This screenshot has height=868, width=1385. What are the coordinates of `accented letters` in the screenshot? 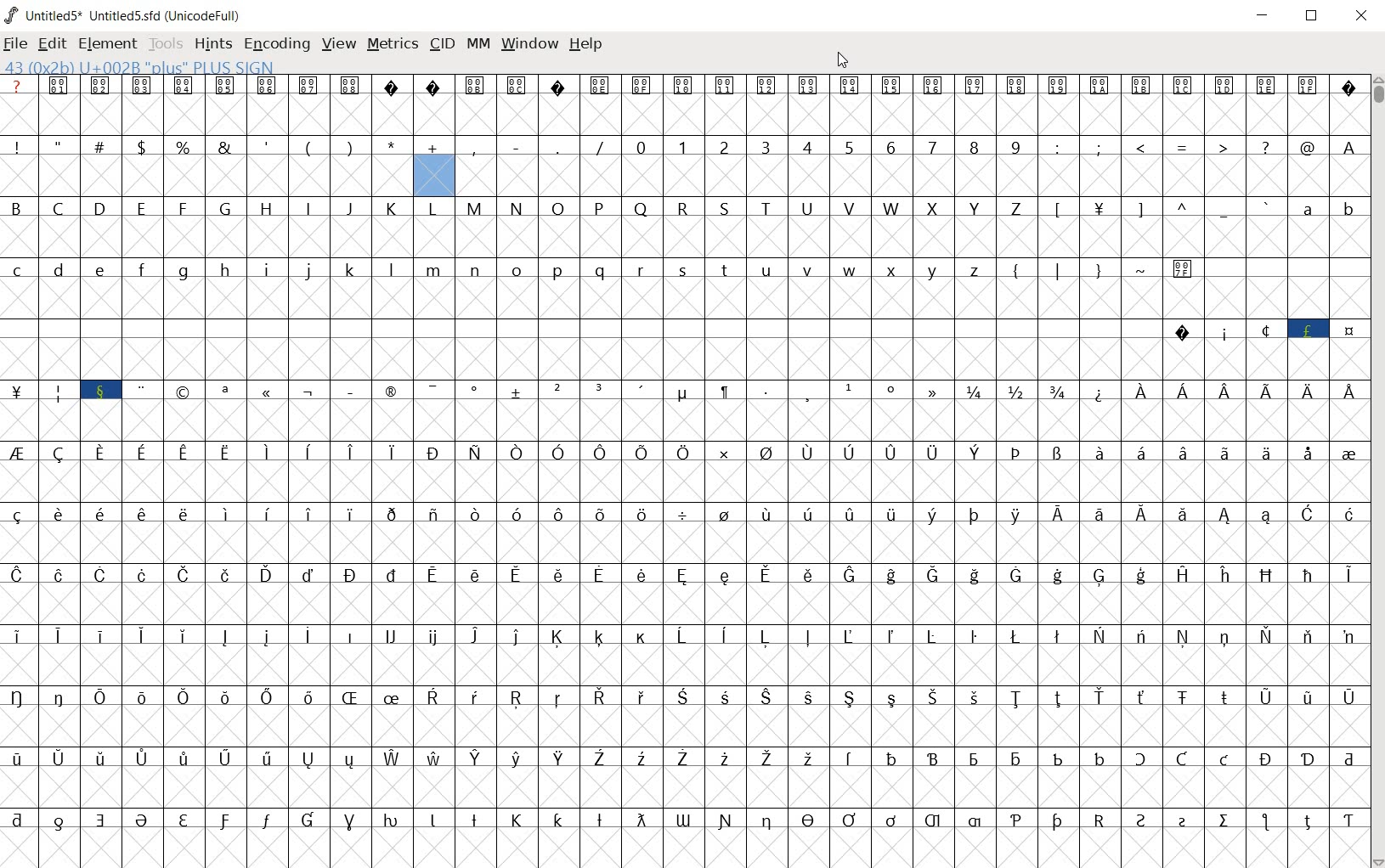 It's located at (415, 776).